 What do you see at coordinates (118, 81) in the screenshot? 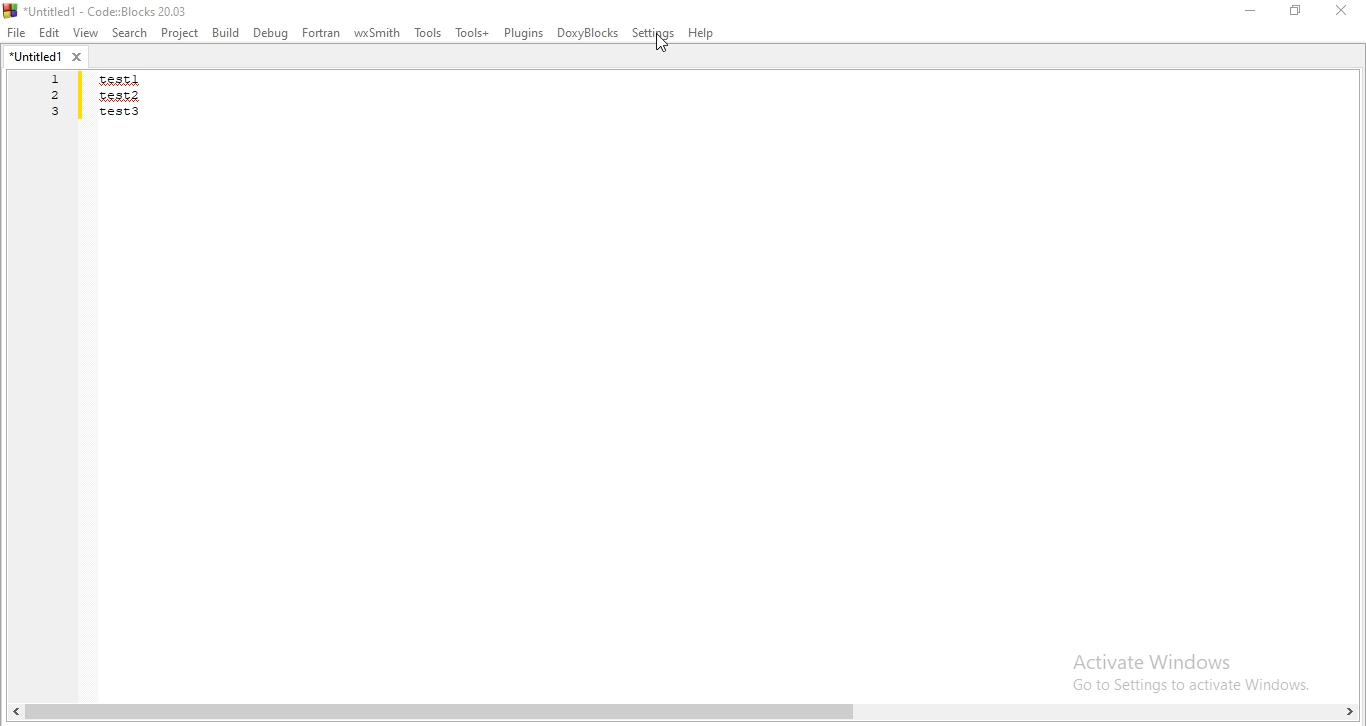
I see `test 1` at bounding box center [118, 81].